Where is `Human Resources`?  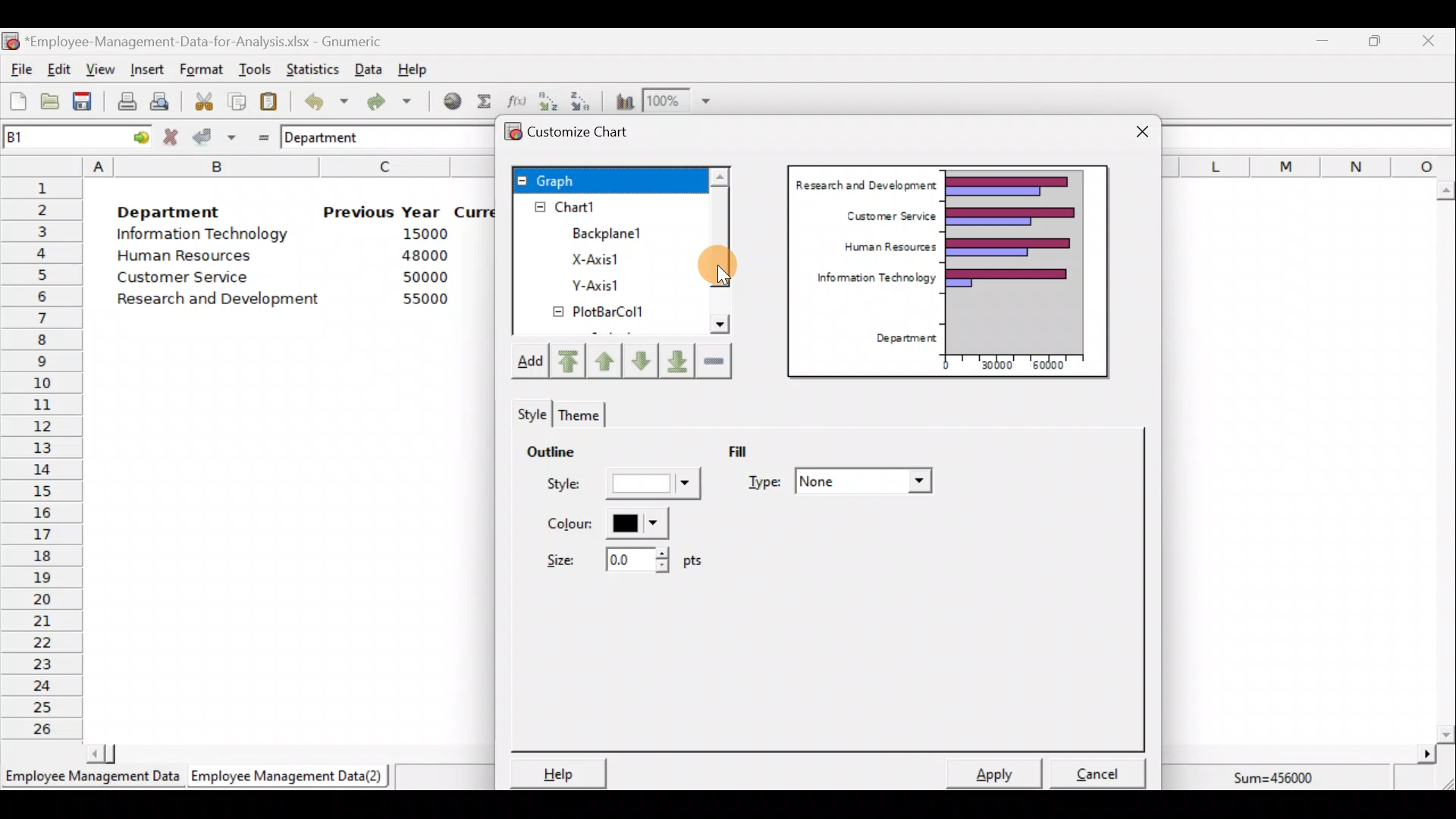 Human Resources is located at coordinates (192, 257).